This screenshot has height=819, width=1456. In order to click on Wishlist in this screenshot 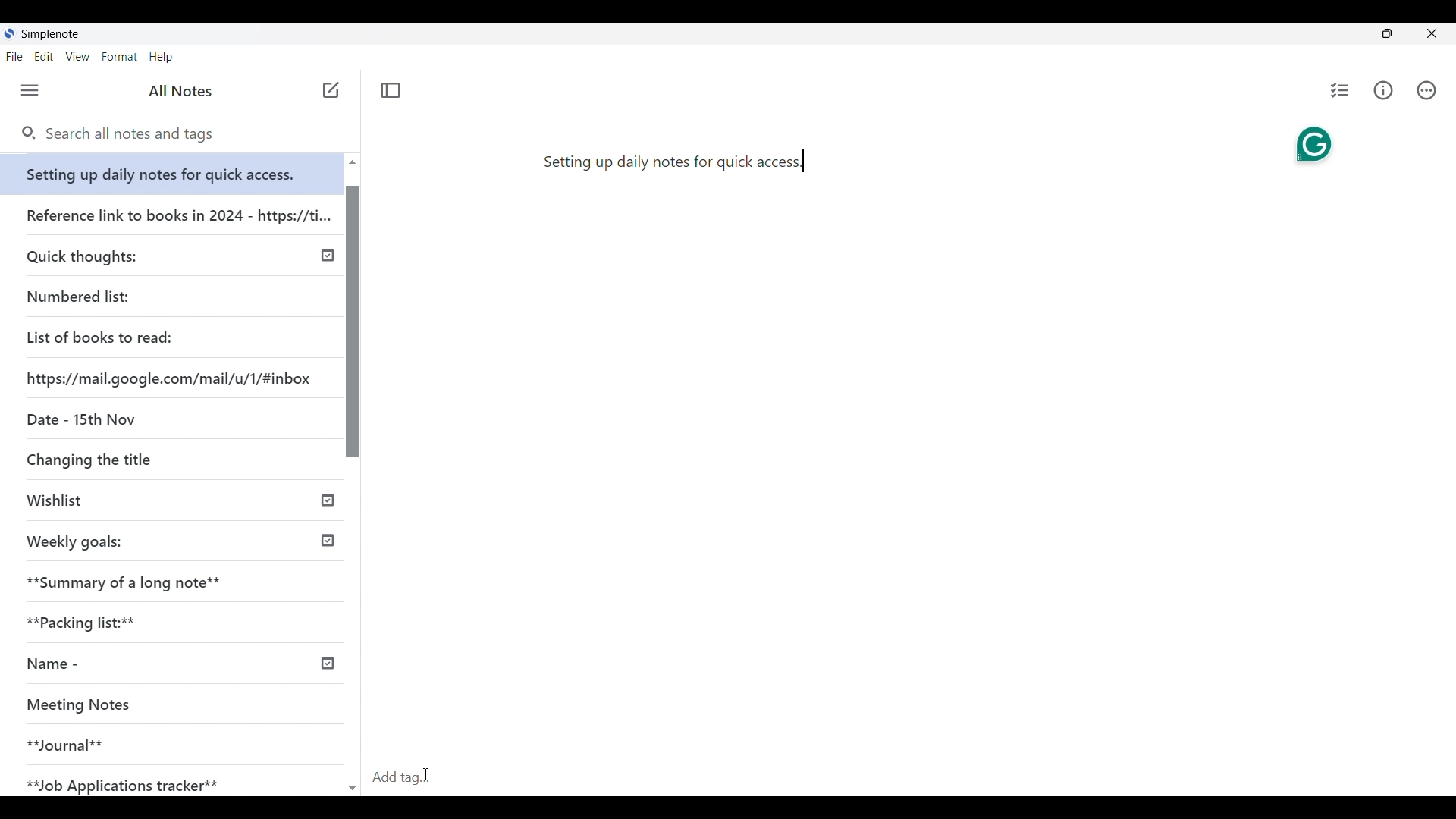, I will do `click(127, 502)`.